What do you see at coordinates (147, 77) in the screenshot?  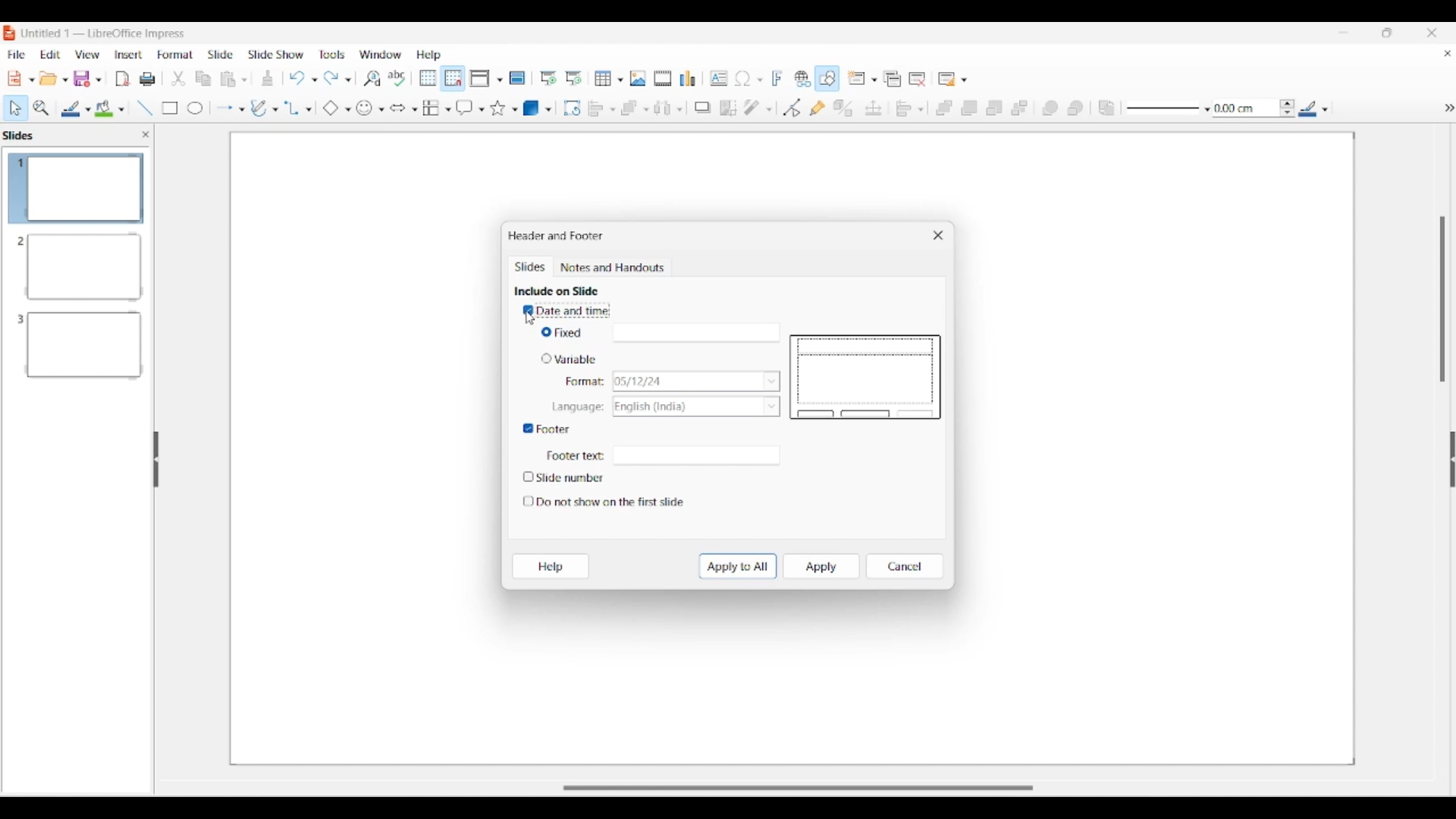 I see `Print` at bounding box center [147, 77].